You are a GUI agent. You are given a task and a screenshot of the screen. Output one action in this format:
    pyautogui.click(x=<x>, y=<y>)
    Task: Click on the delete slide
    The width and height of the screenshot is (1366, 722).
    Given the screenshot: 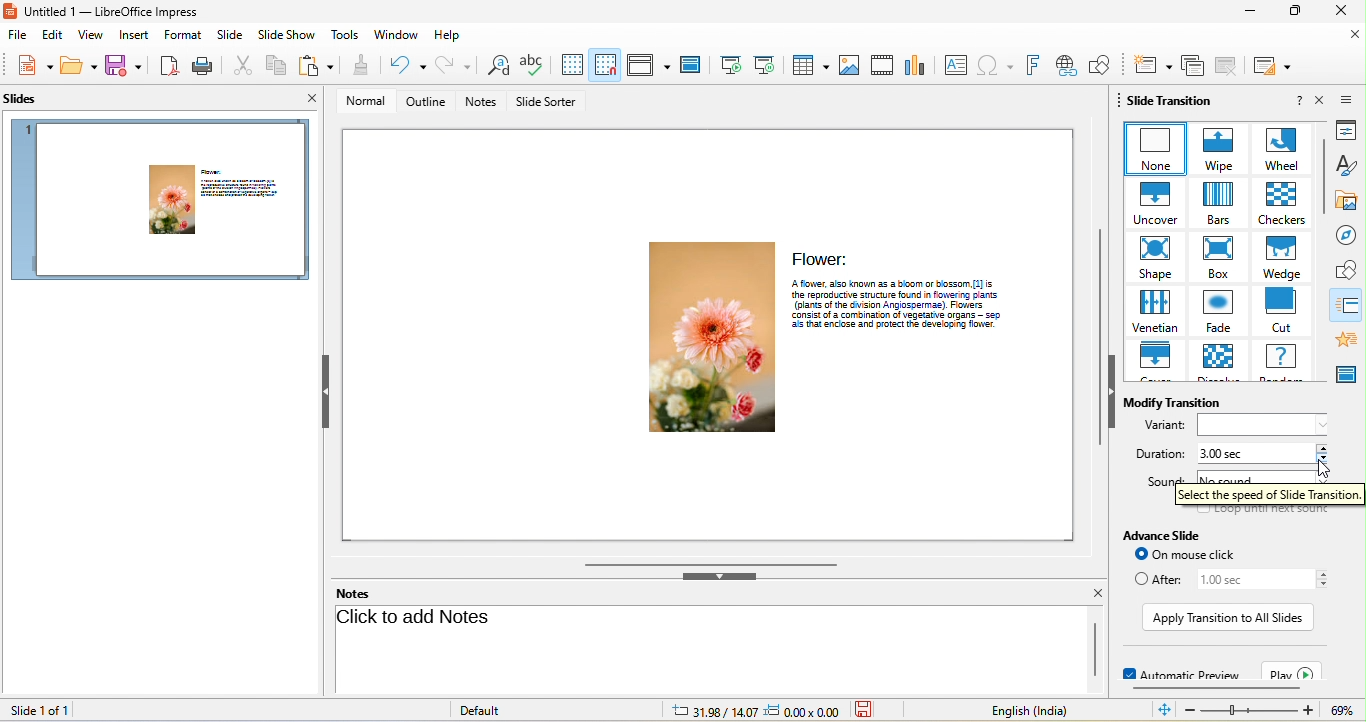 What is the action you would take?
    pyautogui.click(x=1229, y=66)
    